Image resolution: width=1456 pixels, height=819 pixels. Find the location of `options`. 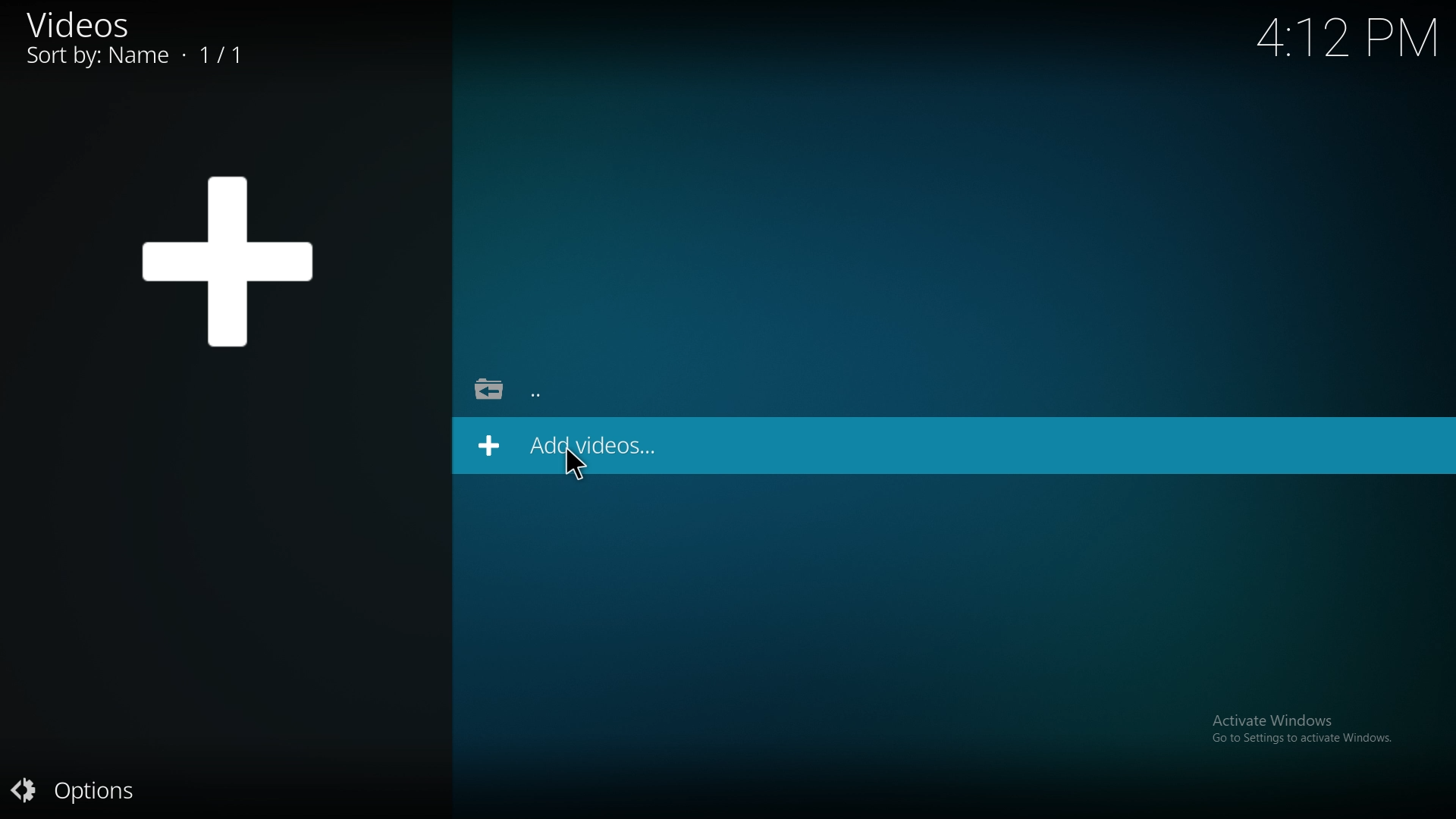

options is located at coordinates (92, 792).